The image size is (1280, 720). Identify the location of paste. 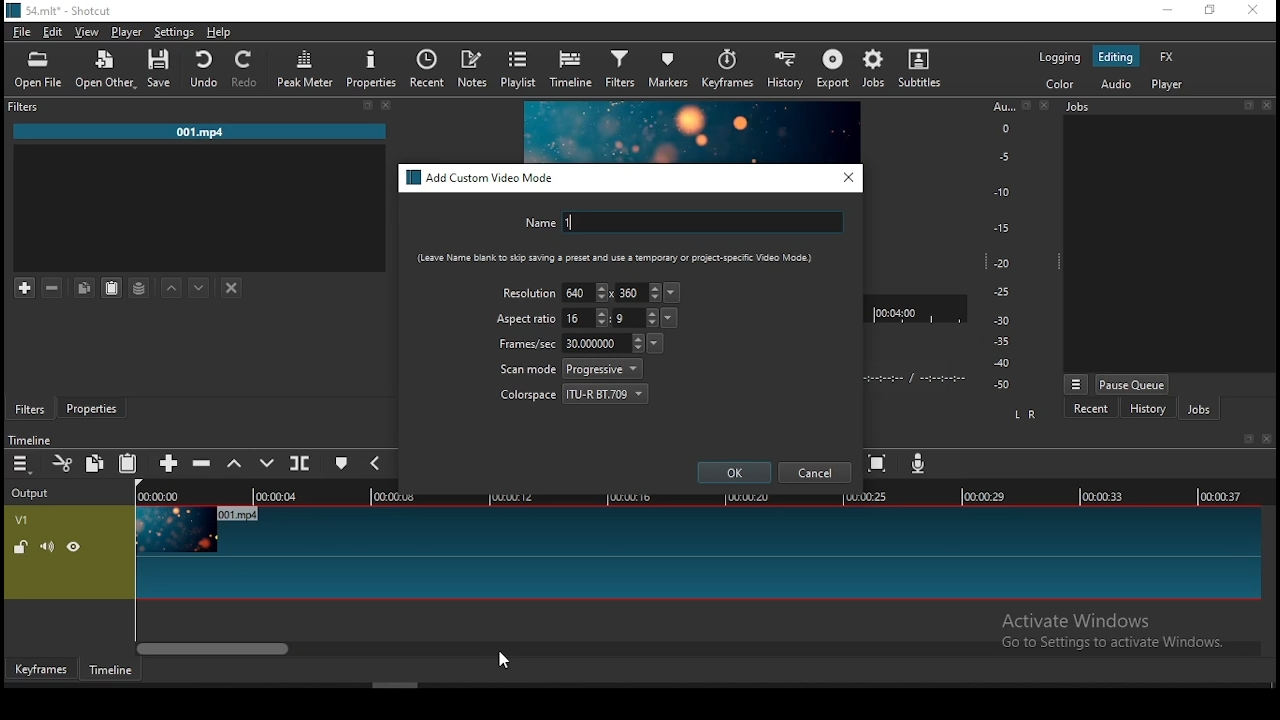
(112, 288).